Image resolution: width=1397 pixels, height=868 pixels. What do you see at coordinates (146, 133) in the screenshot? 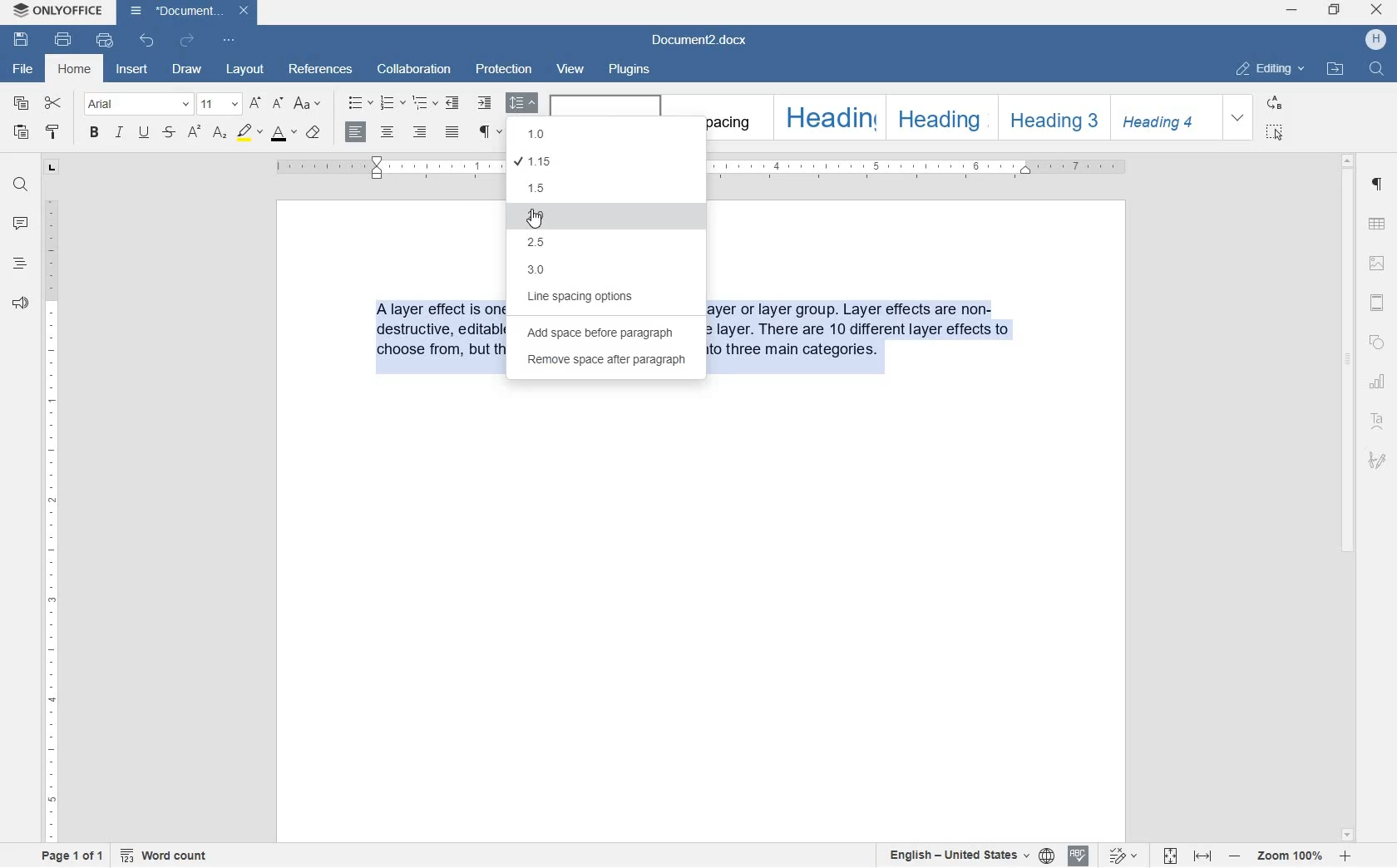
I see `underline` at bounding box center [146, 133].